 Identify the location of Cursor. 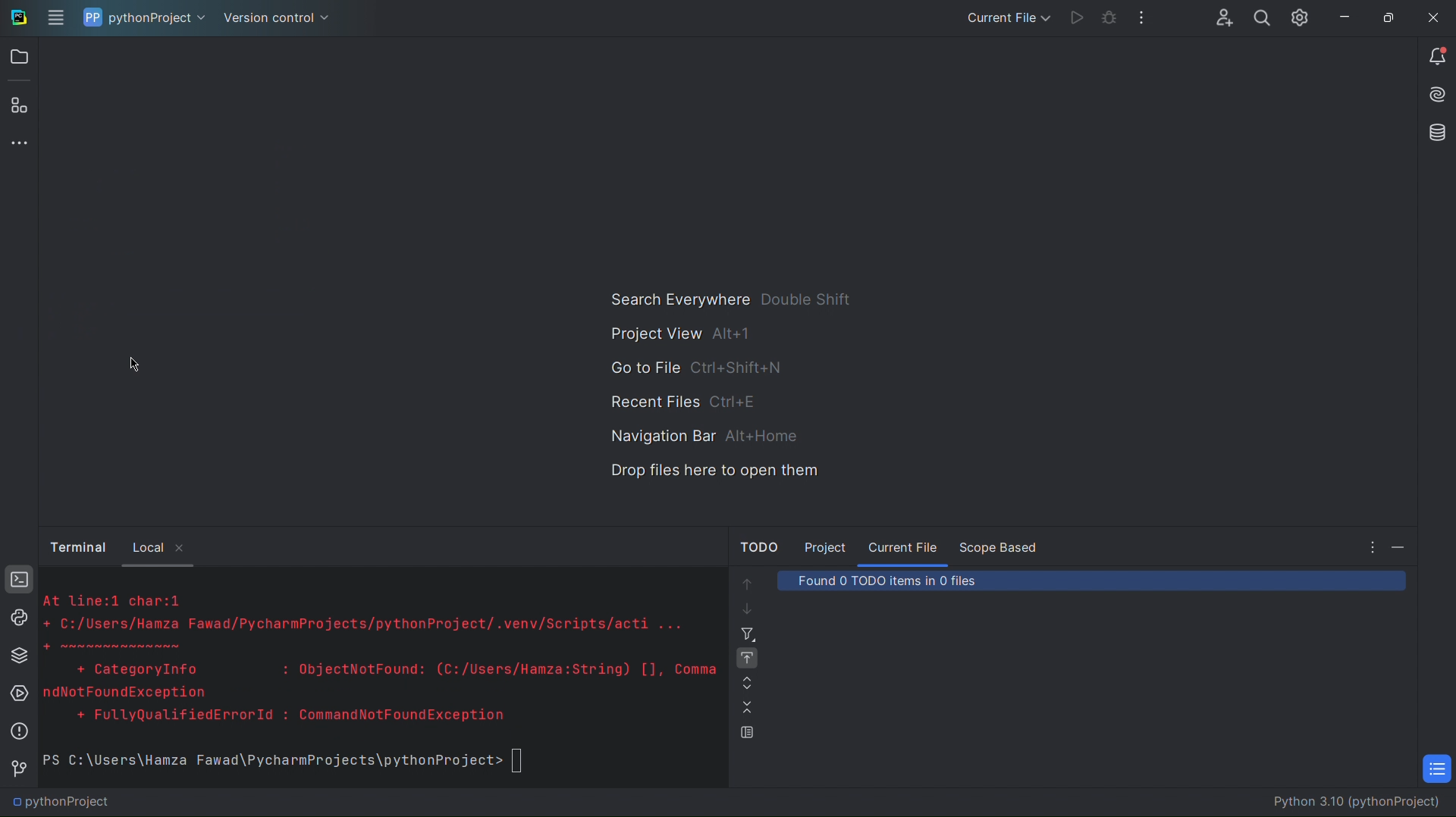
(136, 366).